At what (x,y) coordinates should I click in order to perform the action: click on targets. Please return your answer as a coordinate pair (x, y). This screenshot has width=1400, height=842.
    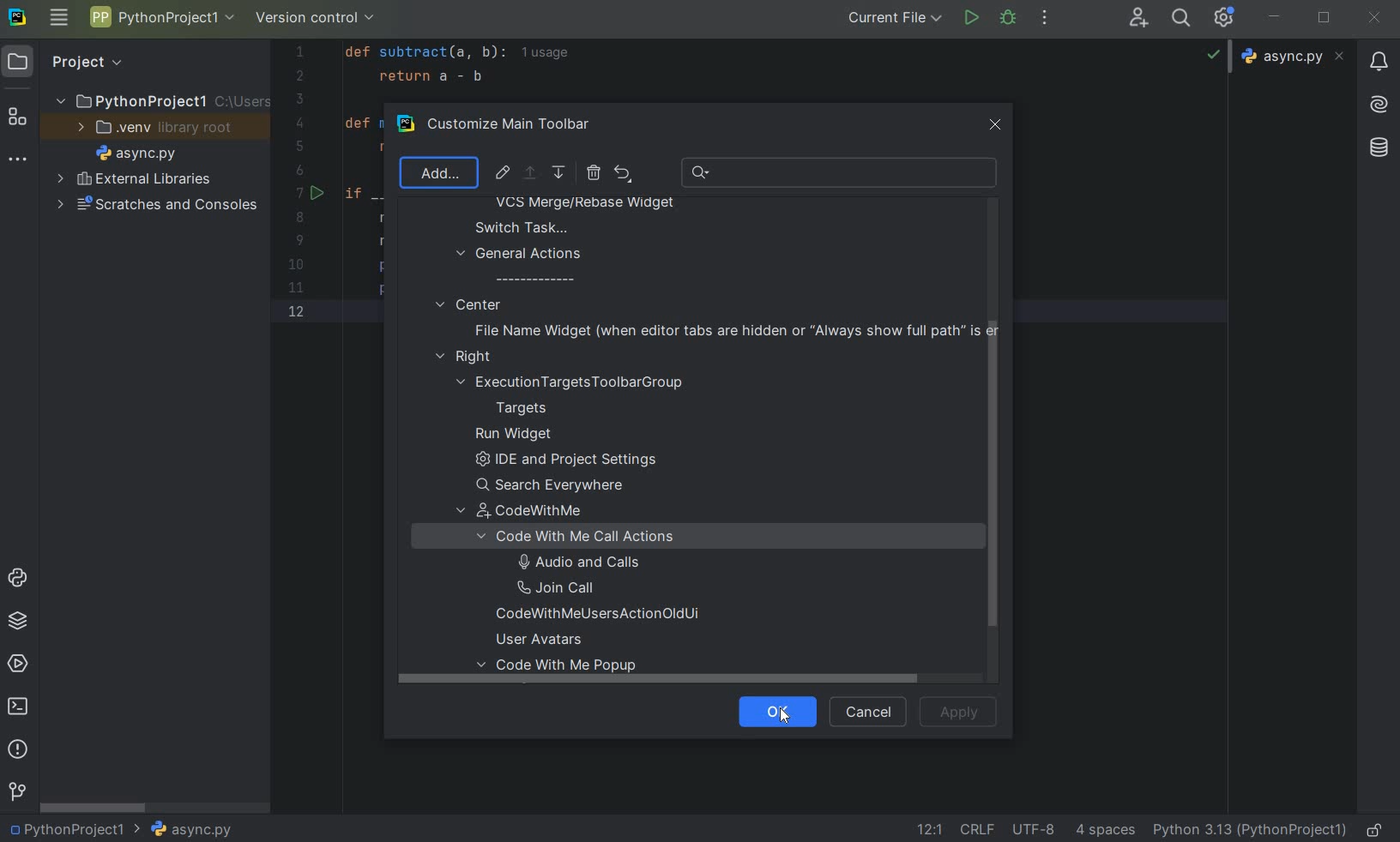
    Looking at the image, I should click on (533, 408).